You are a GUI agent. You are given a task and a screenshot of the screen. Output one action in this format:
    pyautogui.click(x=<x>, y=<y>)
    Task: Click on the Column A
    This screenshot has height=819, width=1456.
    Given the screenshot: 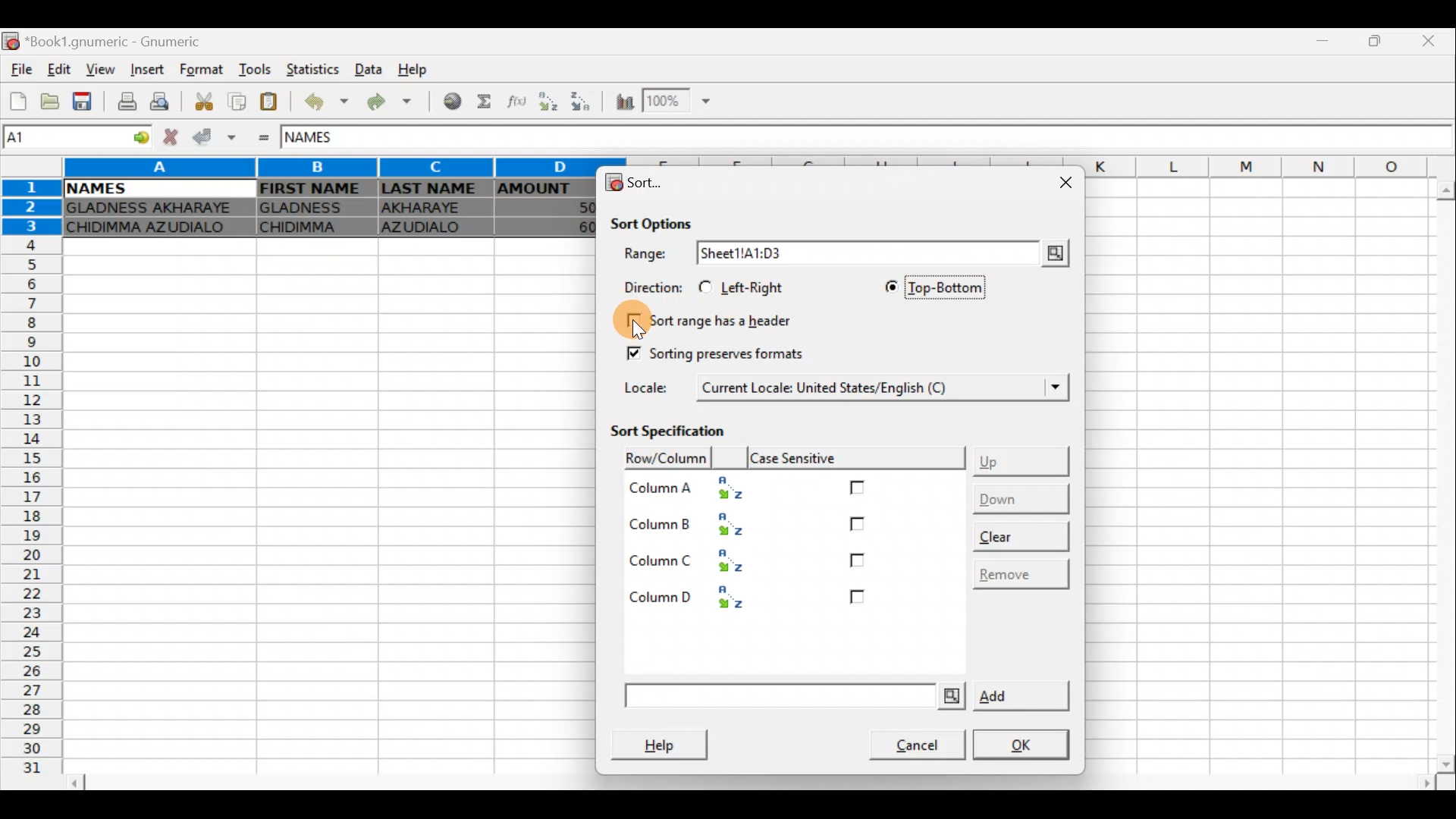 What is the action you would take?
    pyautogui.click(x=693, y=488)
    